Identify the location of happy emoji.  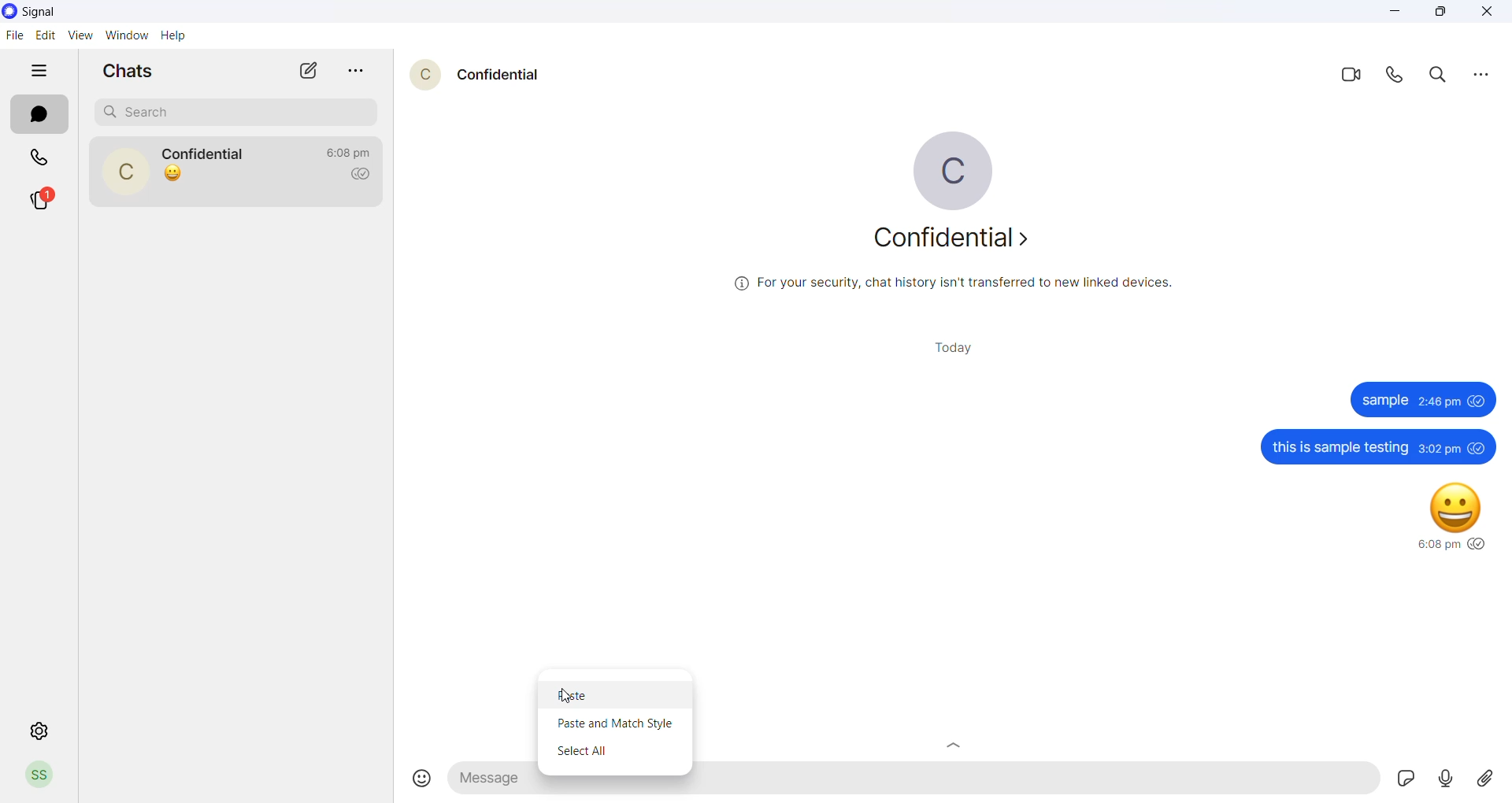
(1443, 517).